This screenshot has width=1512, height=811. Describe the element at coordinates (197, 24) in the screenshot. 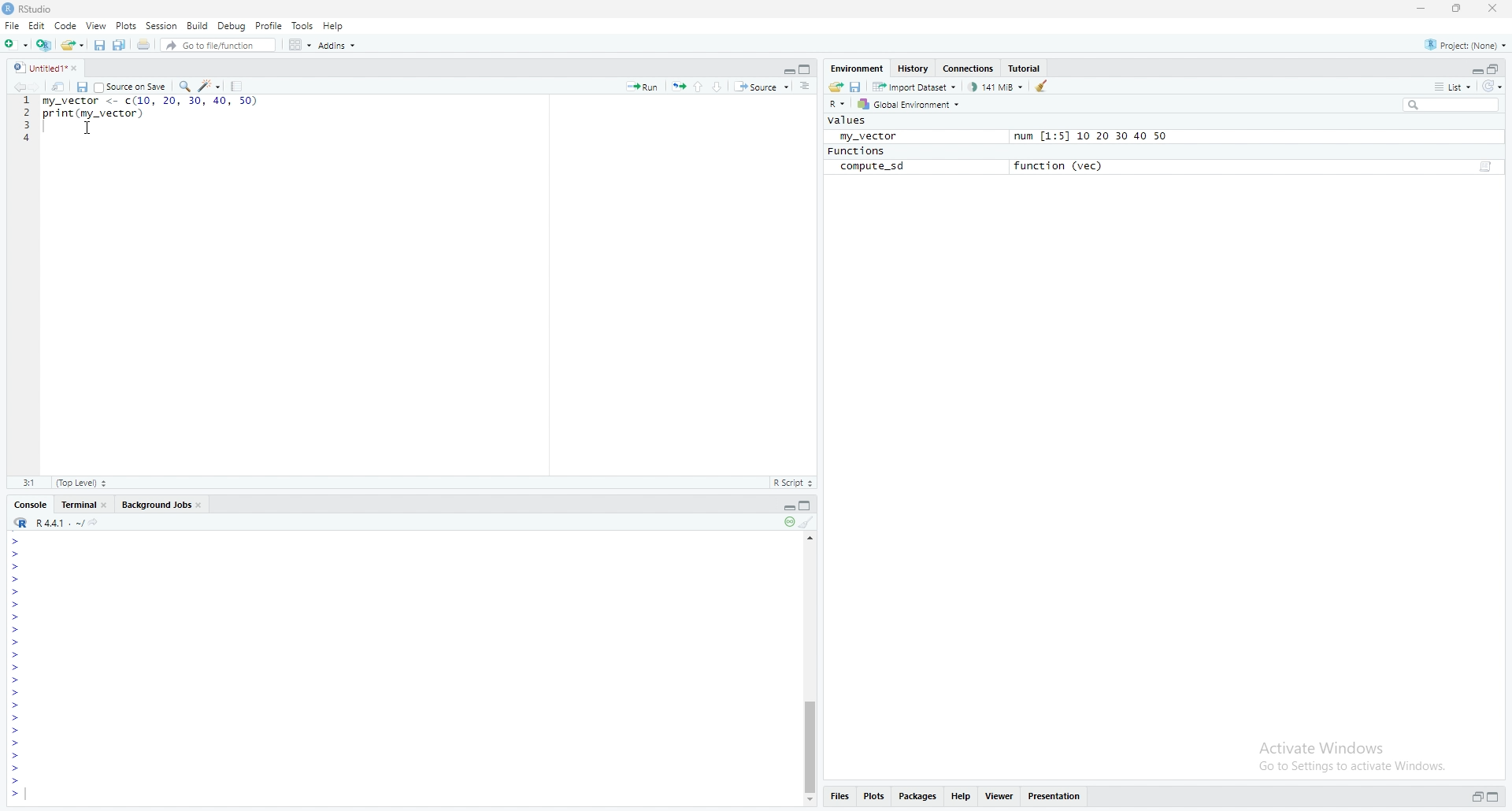

I see `Build` at that location.